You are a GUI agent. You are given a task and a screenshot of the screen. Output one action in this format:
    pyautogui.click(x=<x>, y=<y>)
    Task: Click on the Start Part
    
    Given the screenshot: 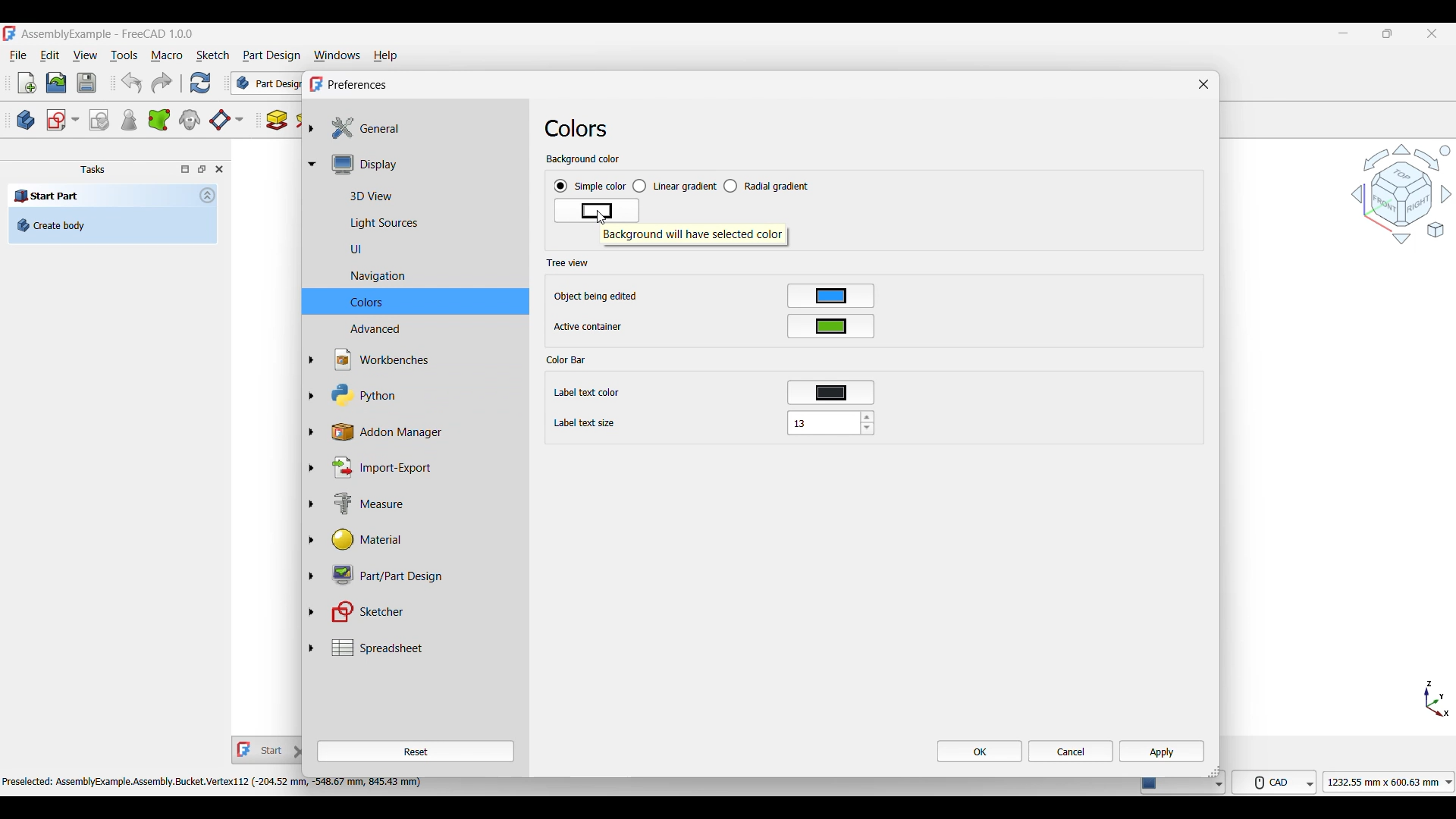 What is the action you would take?
    pyautogui.click(x=47, y=195)
    